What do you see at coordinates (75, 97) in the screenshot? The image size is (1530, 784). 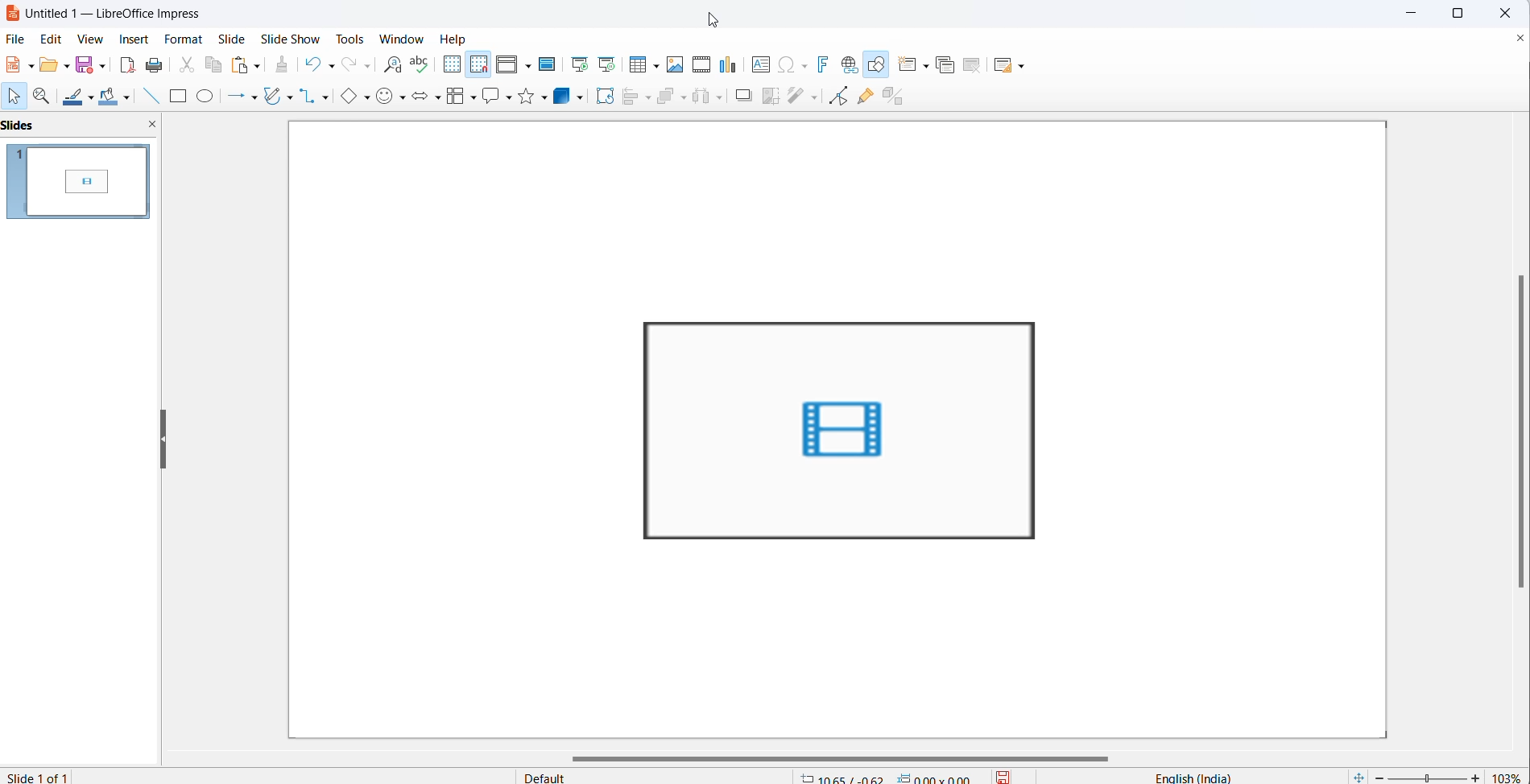 I see `line color` at bounding box center [75, 97].